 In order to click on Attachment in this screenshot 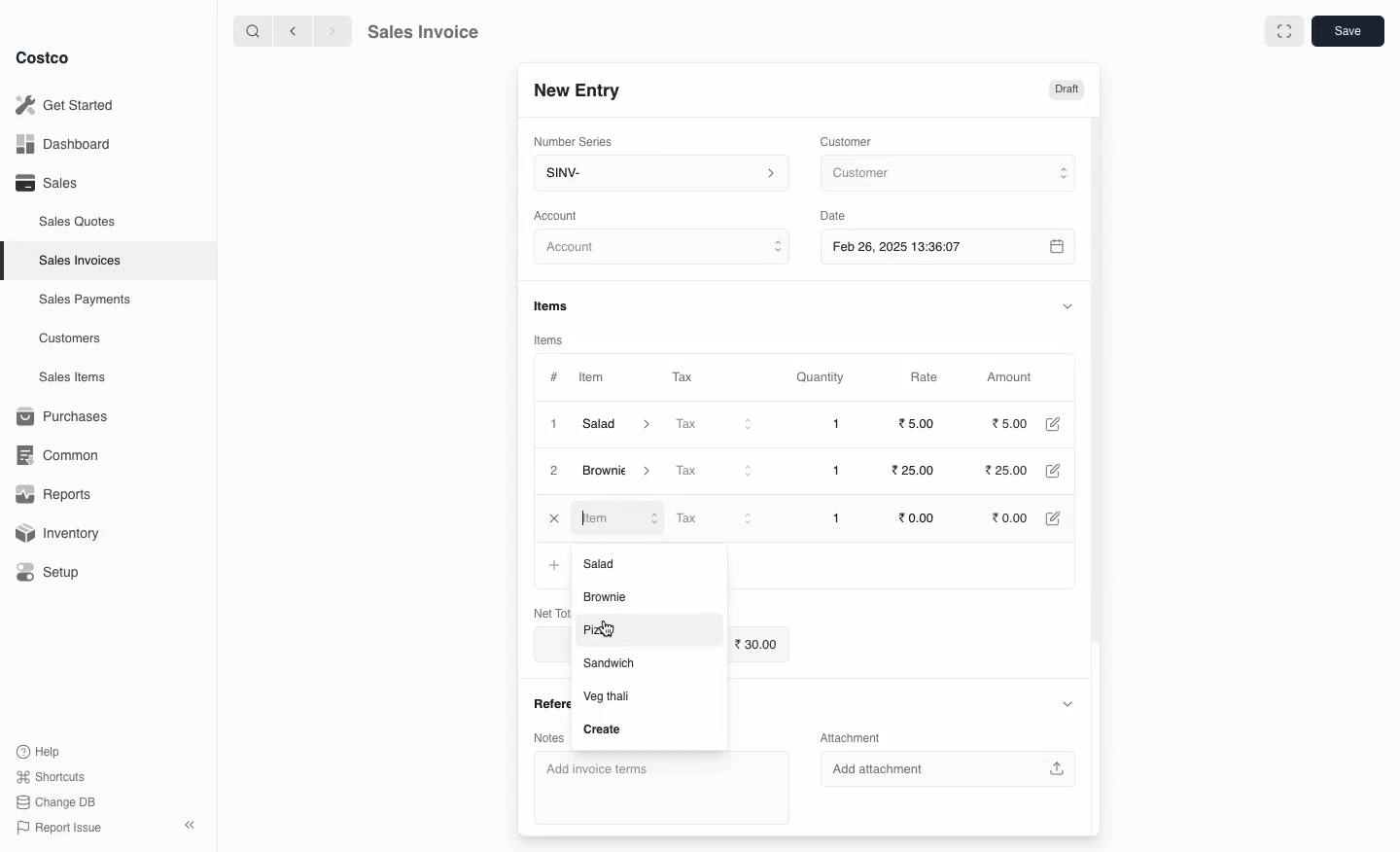, I will do `click(852, 739)`.